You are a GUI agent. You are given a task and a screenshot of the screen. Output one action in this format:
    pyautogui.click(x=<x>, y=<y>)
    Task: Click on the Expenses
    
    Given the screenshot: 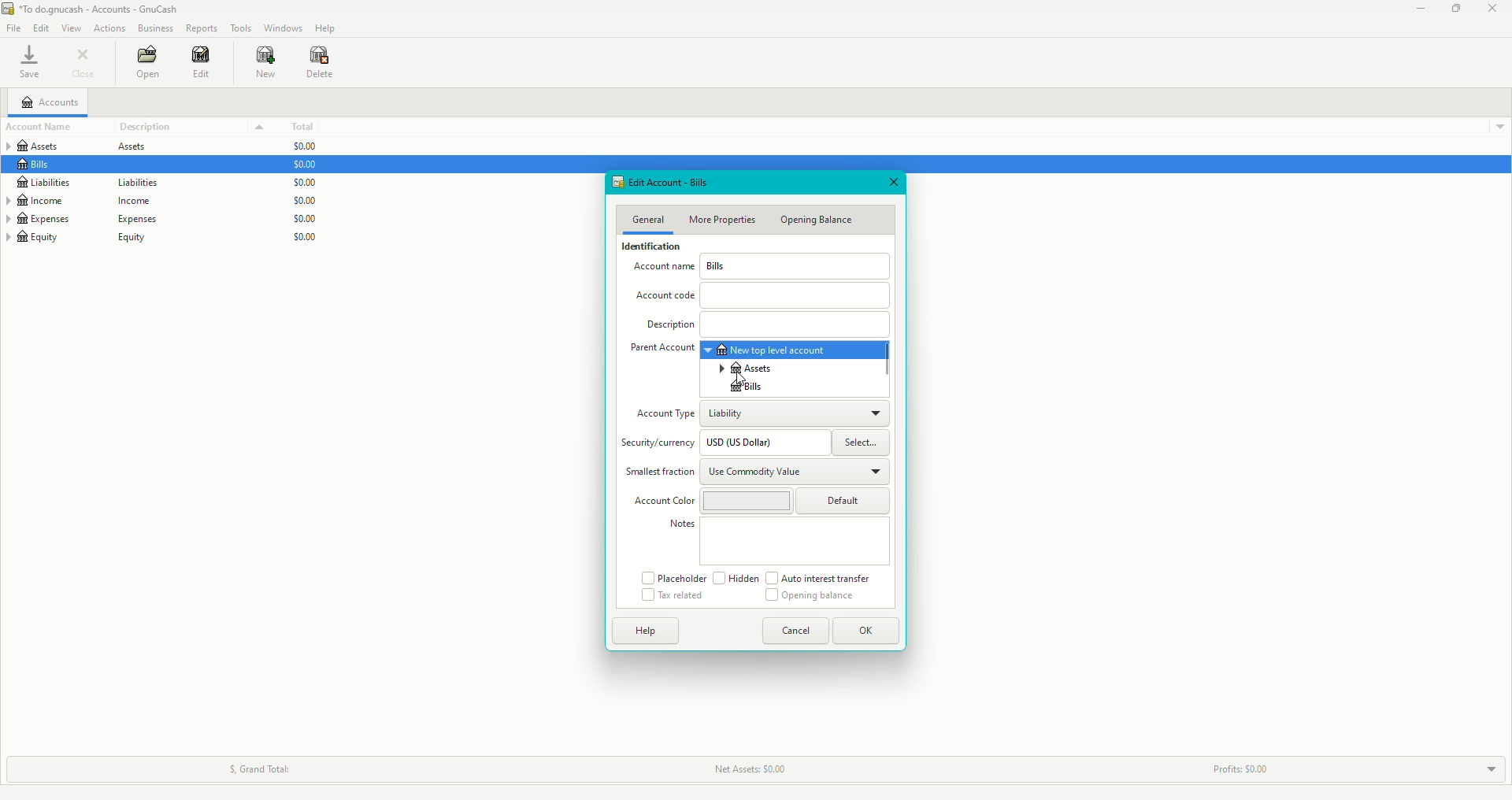 What is the action you would take?
    pyautogui.click(x=82, y=219)
    